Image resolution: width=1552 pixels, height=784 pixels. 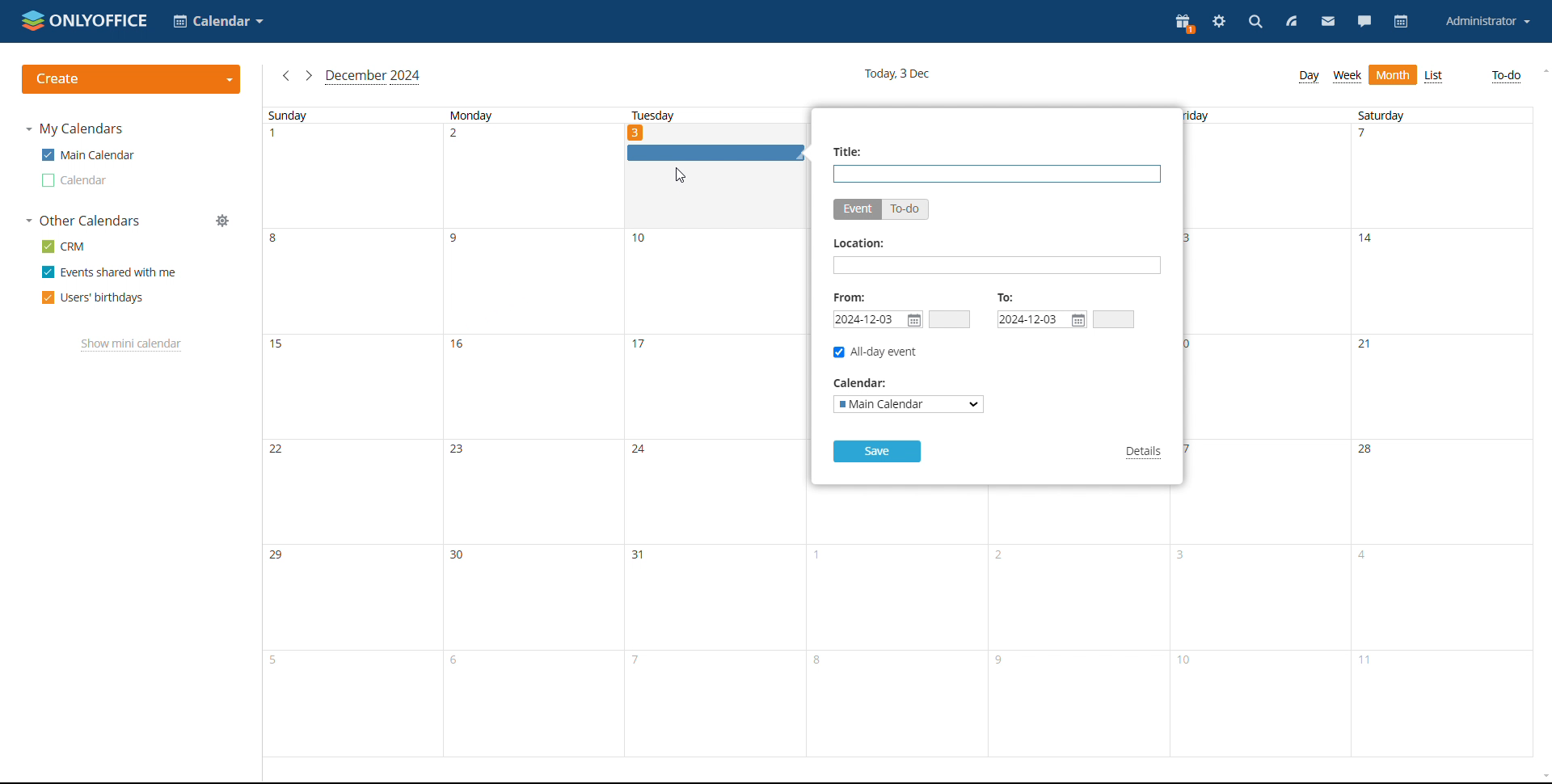 What do you see at coordinates (349, 432) in the screenshot?
I see `sunday` at bounding box center [349, 432].